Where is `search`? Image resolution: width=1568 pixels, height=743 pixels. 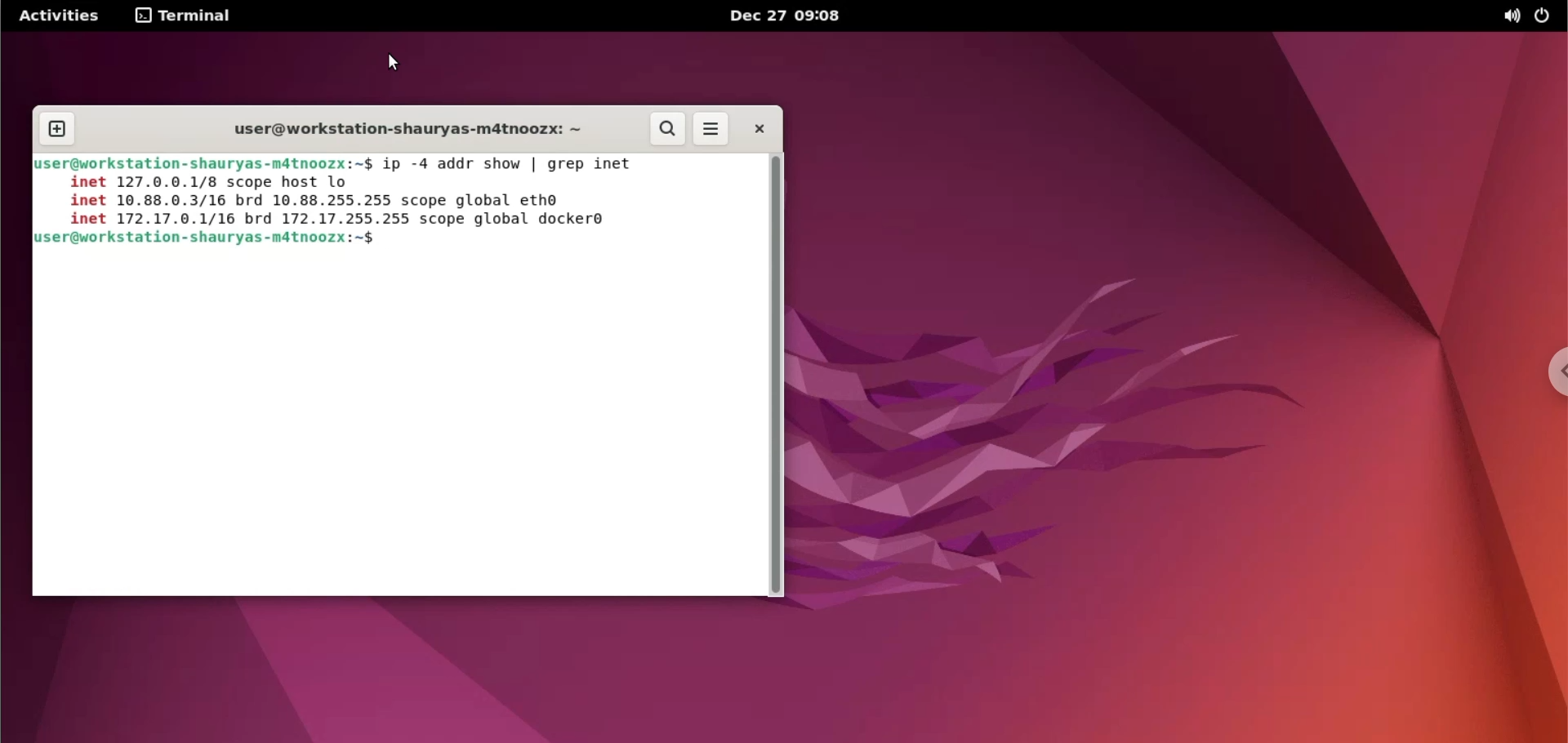 search is located at coordinates (668, 131).